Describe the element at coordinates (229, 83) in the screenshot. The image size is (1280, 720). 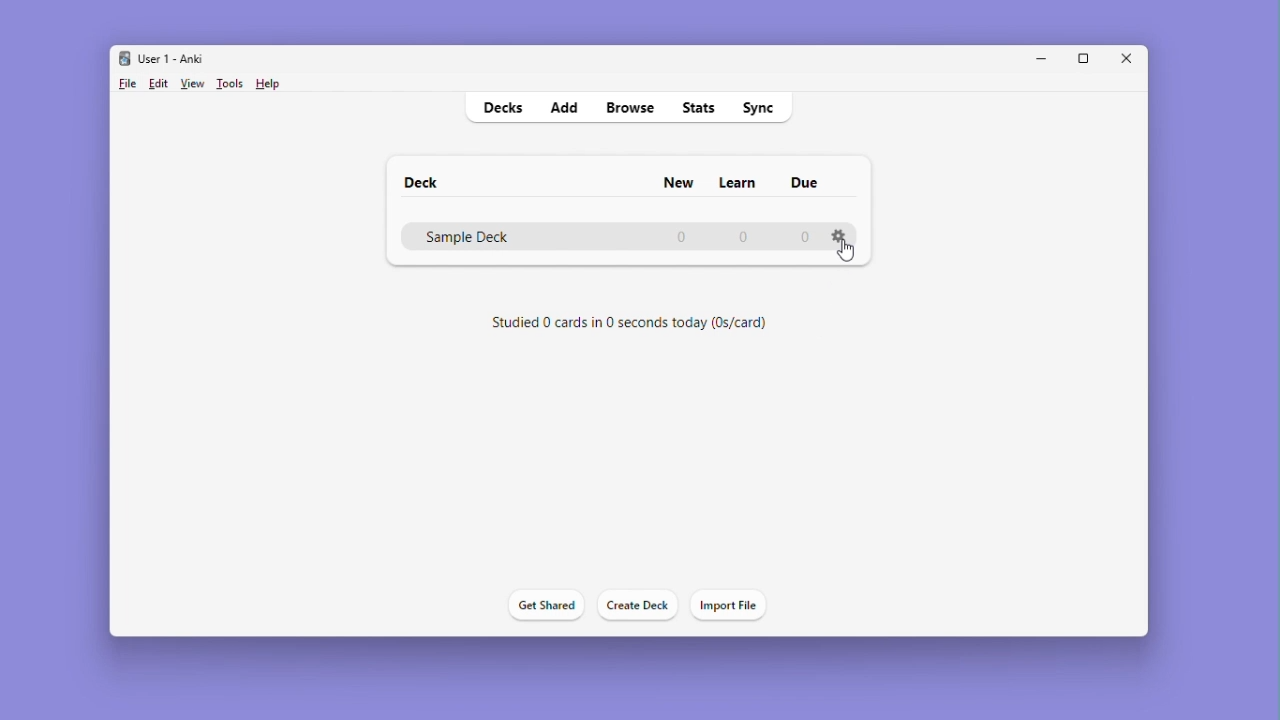
I see `Tools` at that location.